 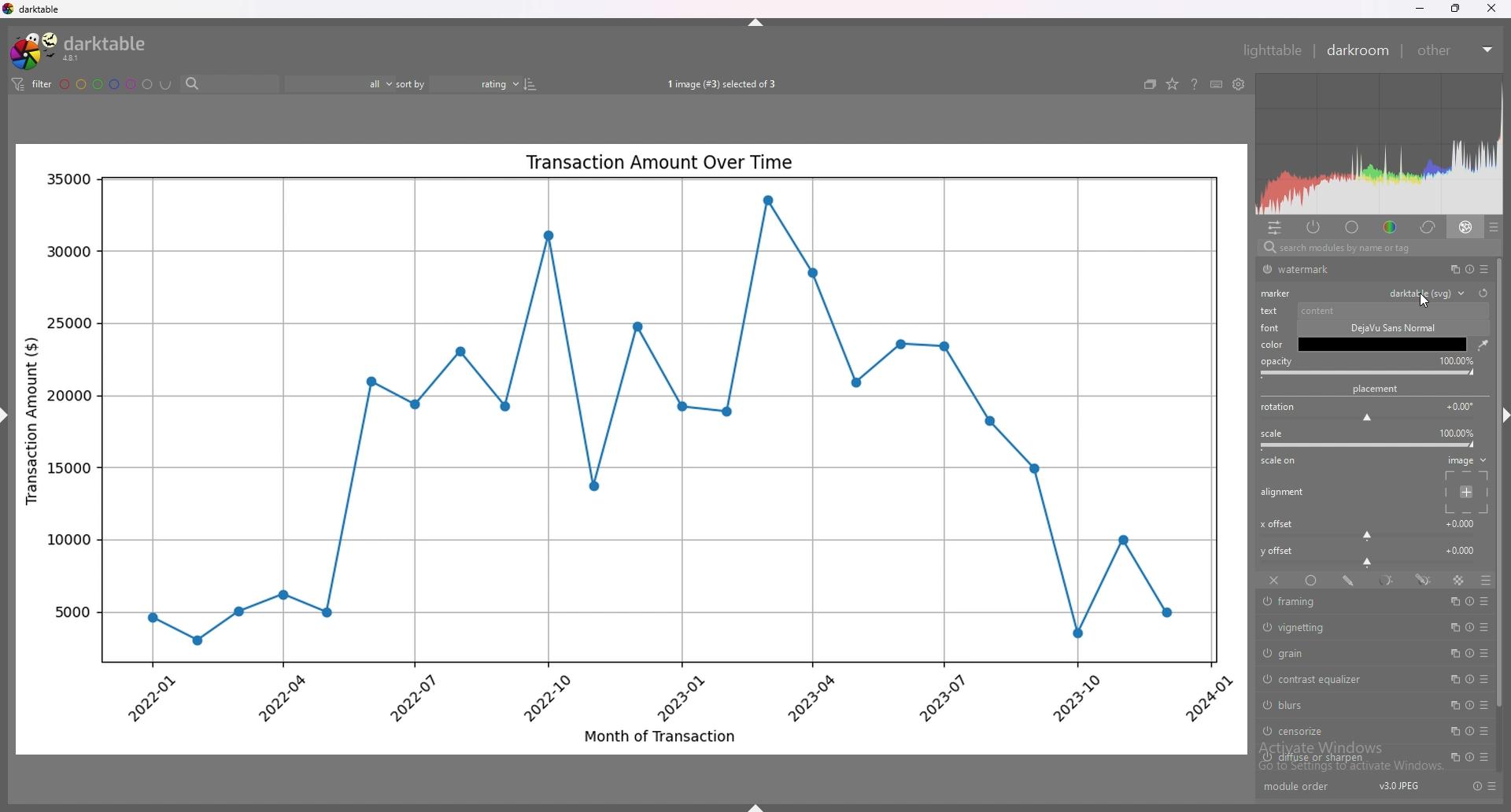 What do you see at coordinates (1265, 733) in the screenshot?
I see `switch off` at bounding box center [1265, 733].